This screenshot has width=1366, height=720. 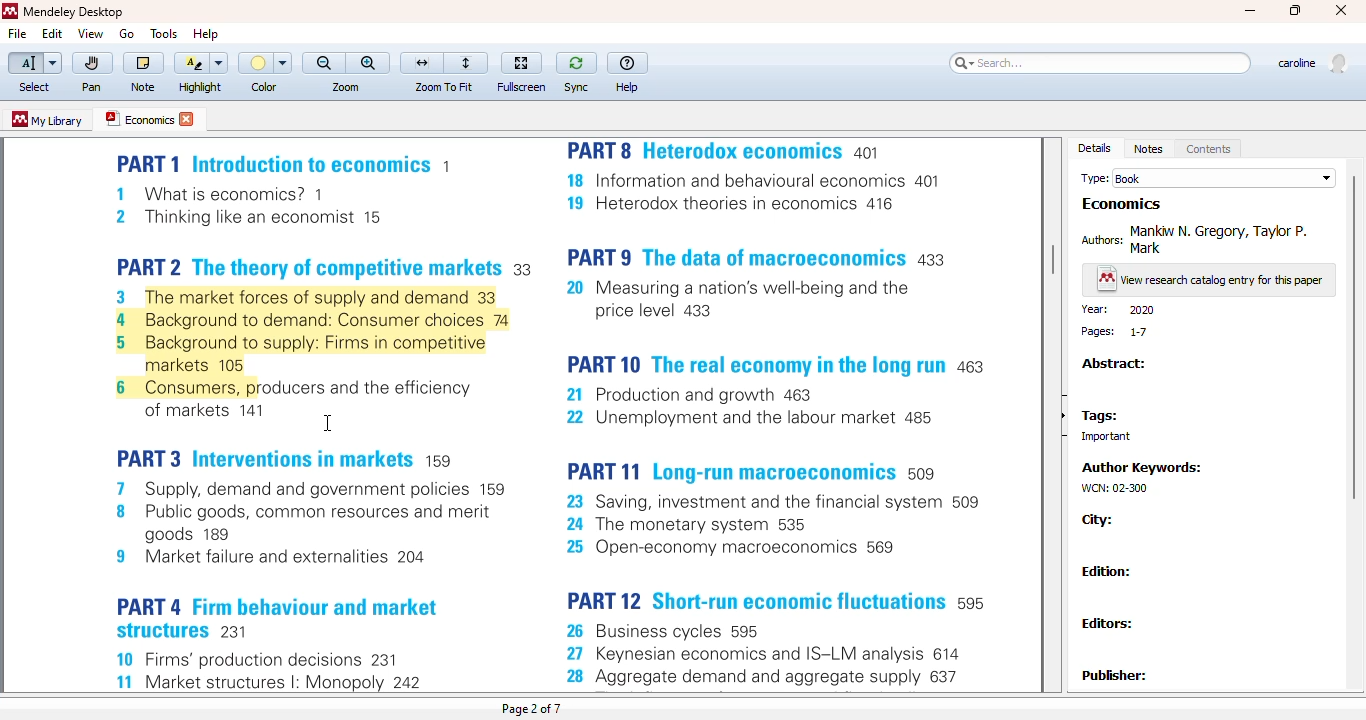 What do you see at coordinates (1297, 11) in the screenshot?
I see `maximize` at bounding box center [1297, 11].